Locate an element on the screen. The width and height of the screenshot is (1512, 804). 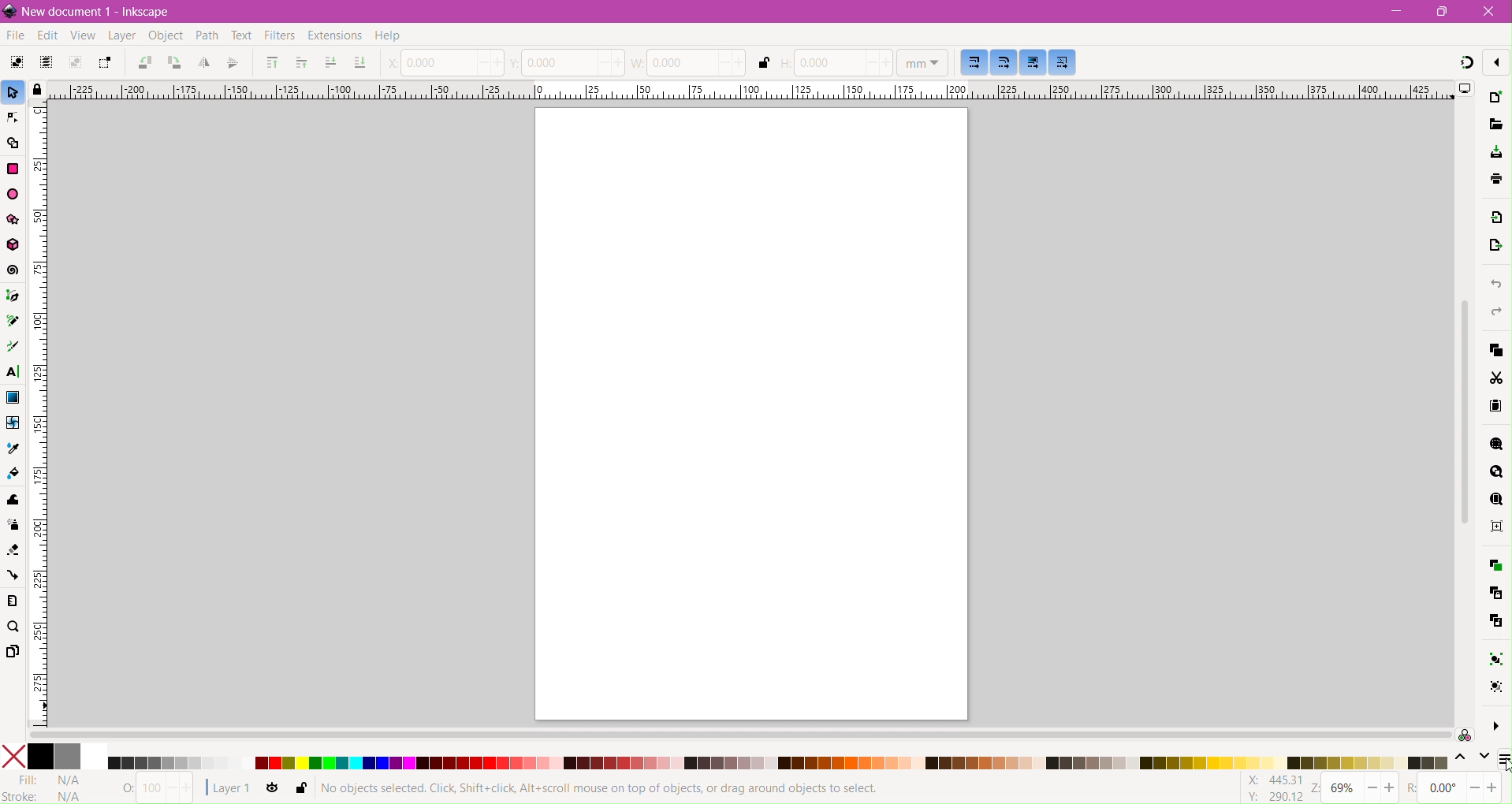
Mesh Tool is located at coordinates (12, 422).